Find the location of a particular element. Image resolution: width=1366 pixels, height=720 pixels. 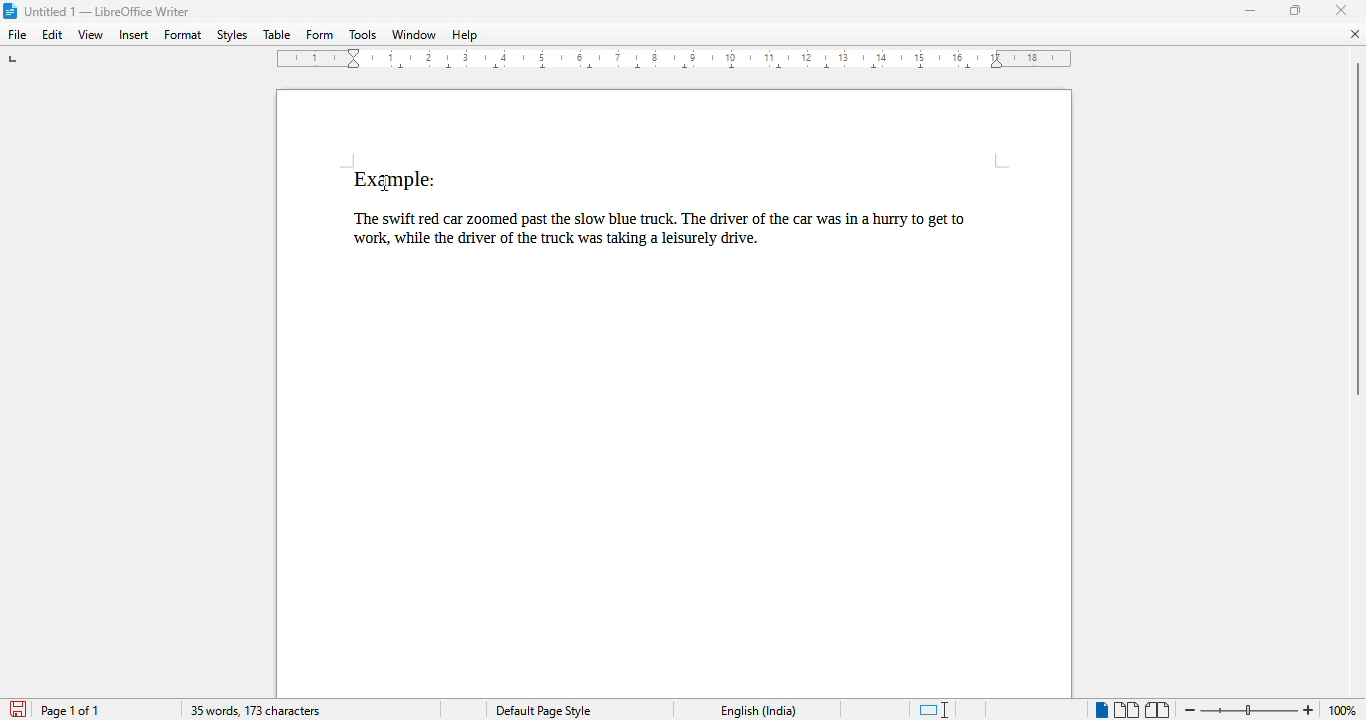

tools is located at coordinates (363, 34).